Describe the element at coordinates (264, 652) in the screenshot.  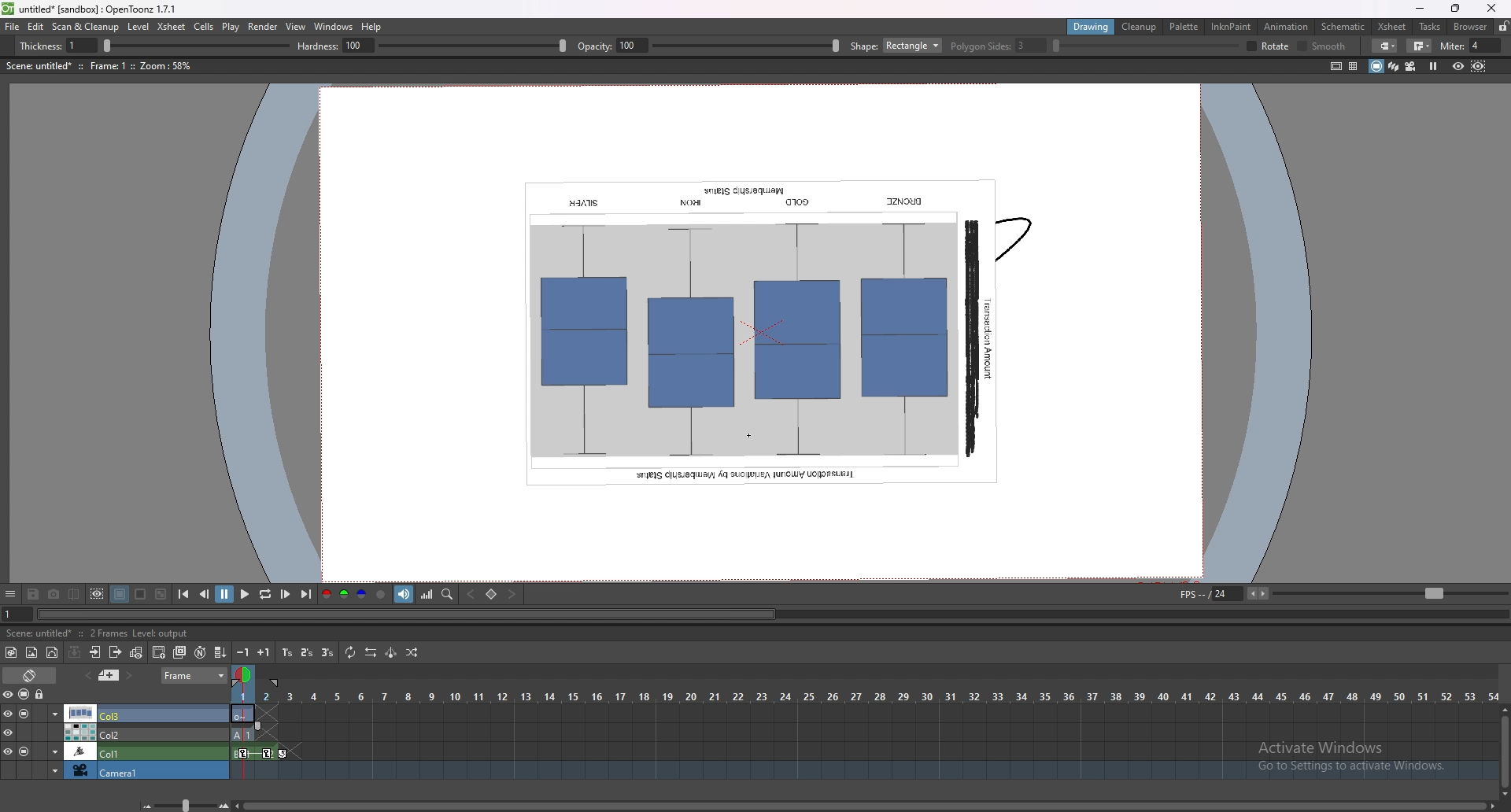
I see `increase step` at that location.